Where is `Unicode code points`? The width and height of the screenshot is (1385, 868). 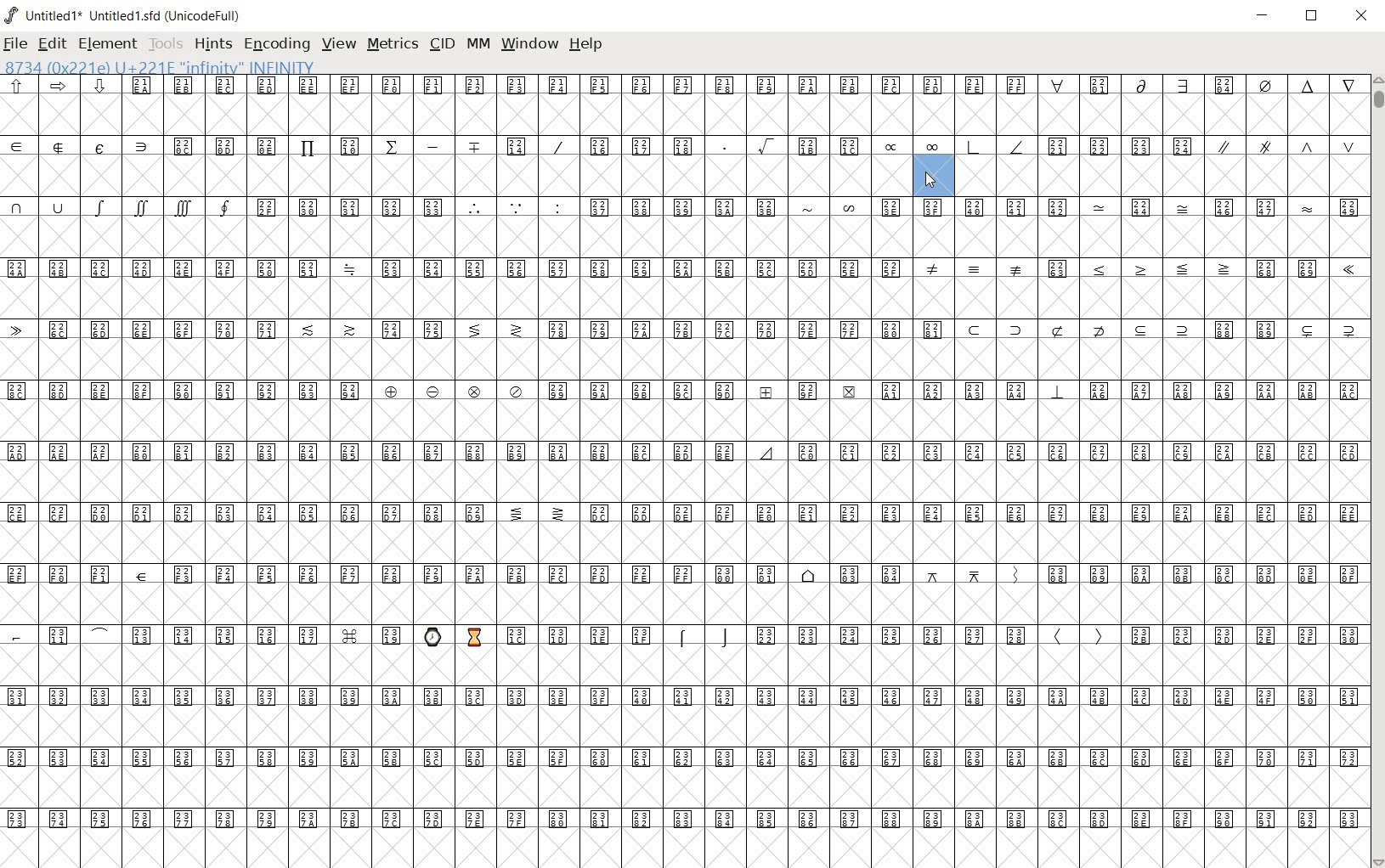
Unicode code points is located at coordinates (350, 206).